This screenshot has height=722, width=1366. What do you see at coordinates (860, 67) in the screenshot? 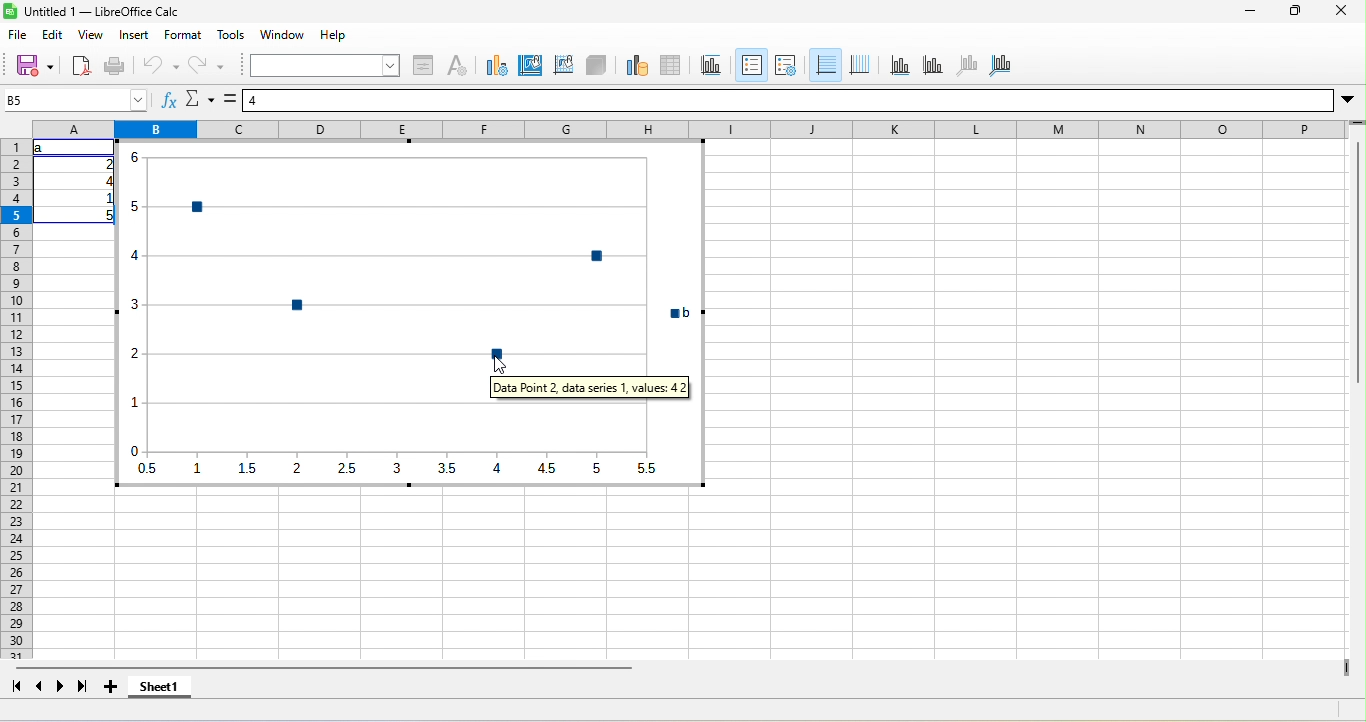
I see `vertical grids` at bounding box center [860, 67].